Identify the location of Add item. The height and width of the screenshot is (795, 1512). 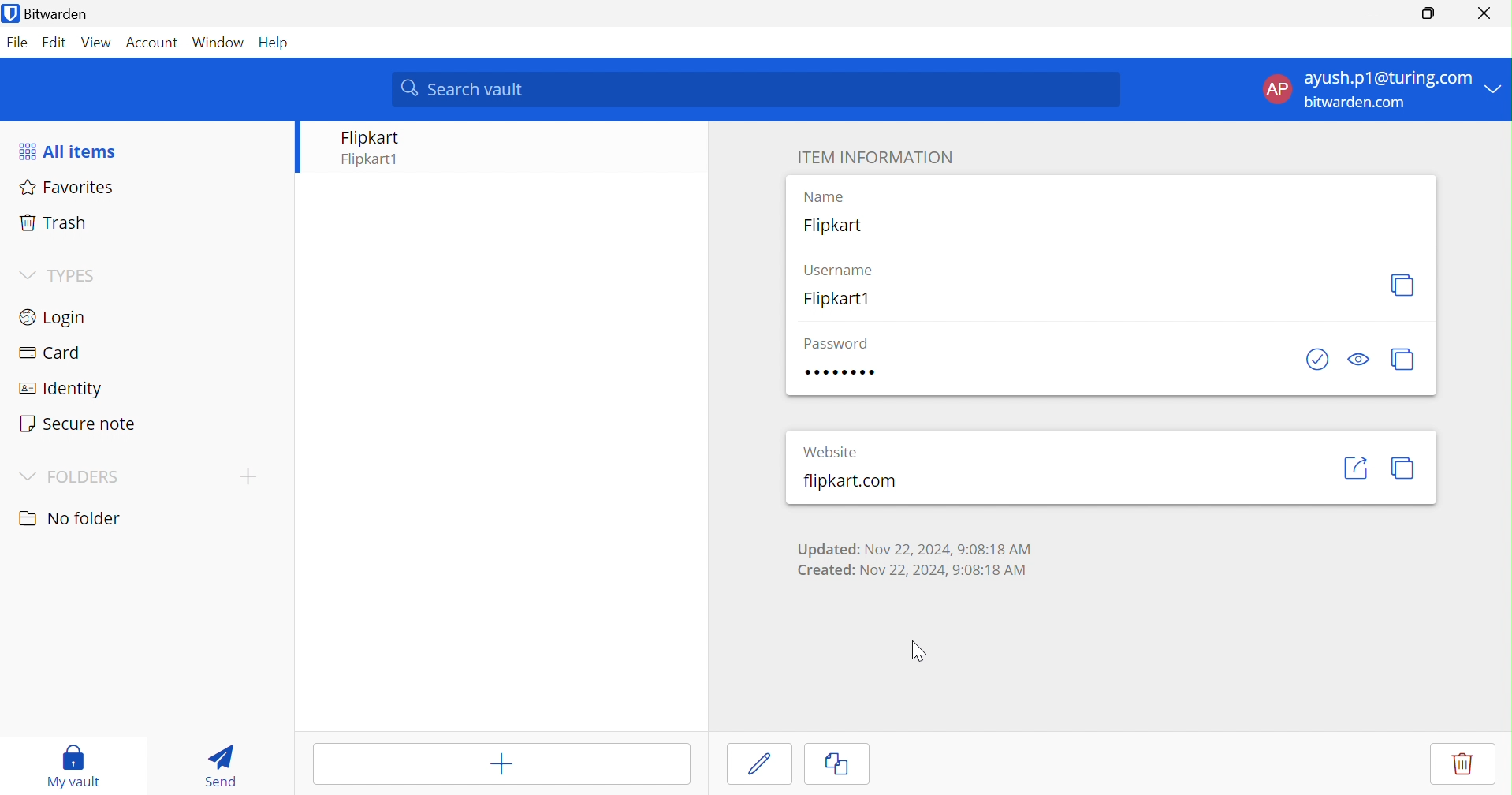
(501, 765).